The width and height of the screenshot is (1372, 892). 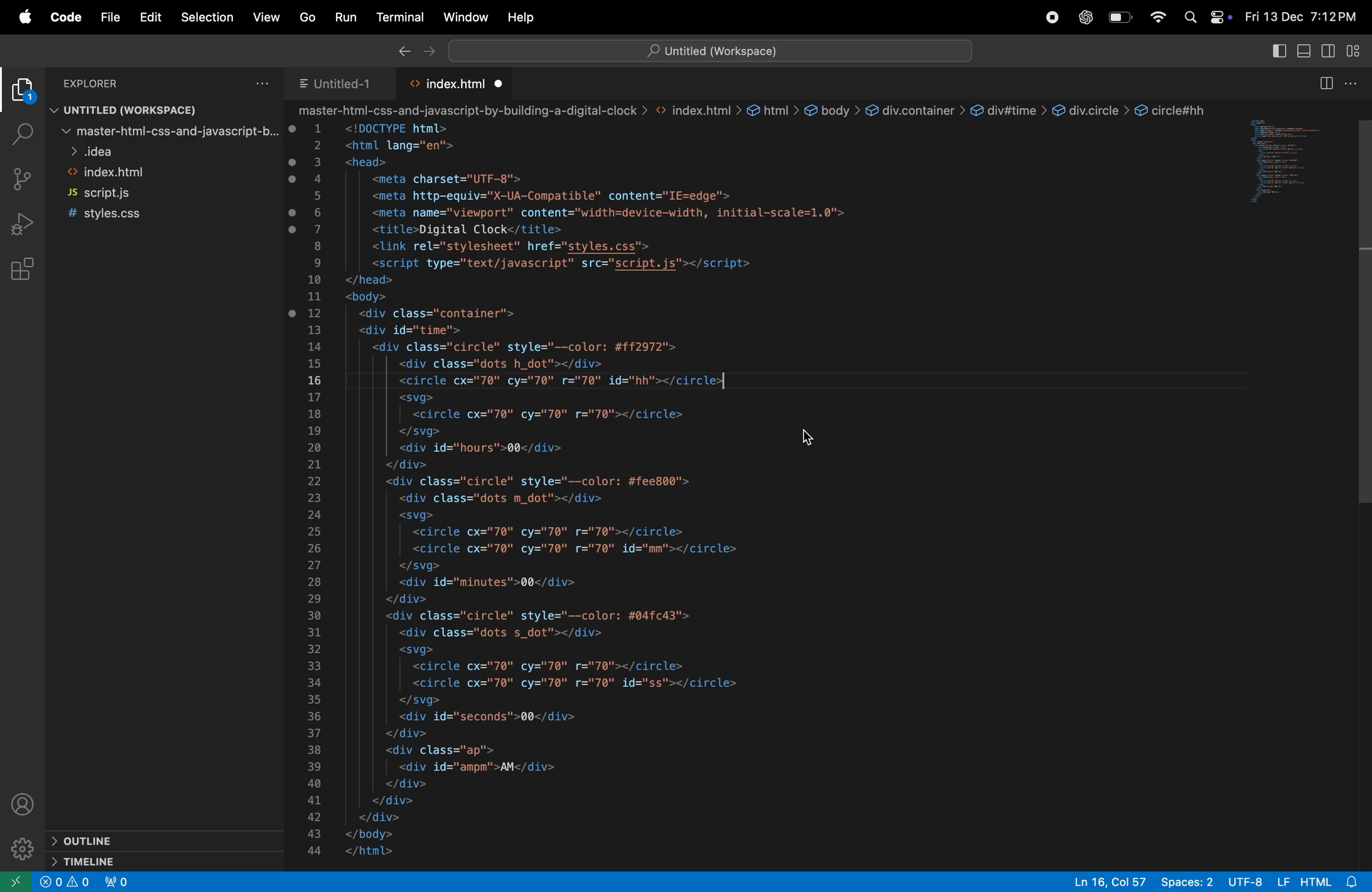 I want to click on split editor, so click(x=1324, y=82).